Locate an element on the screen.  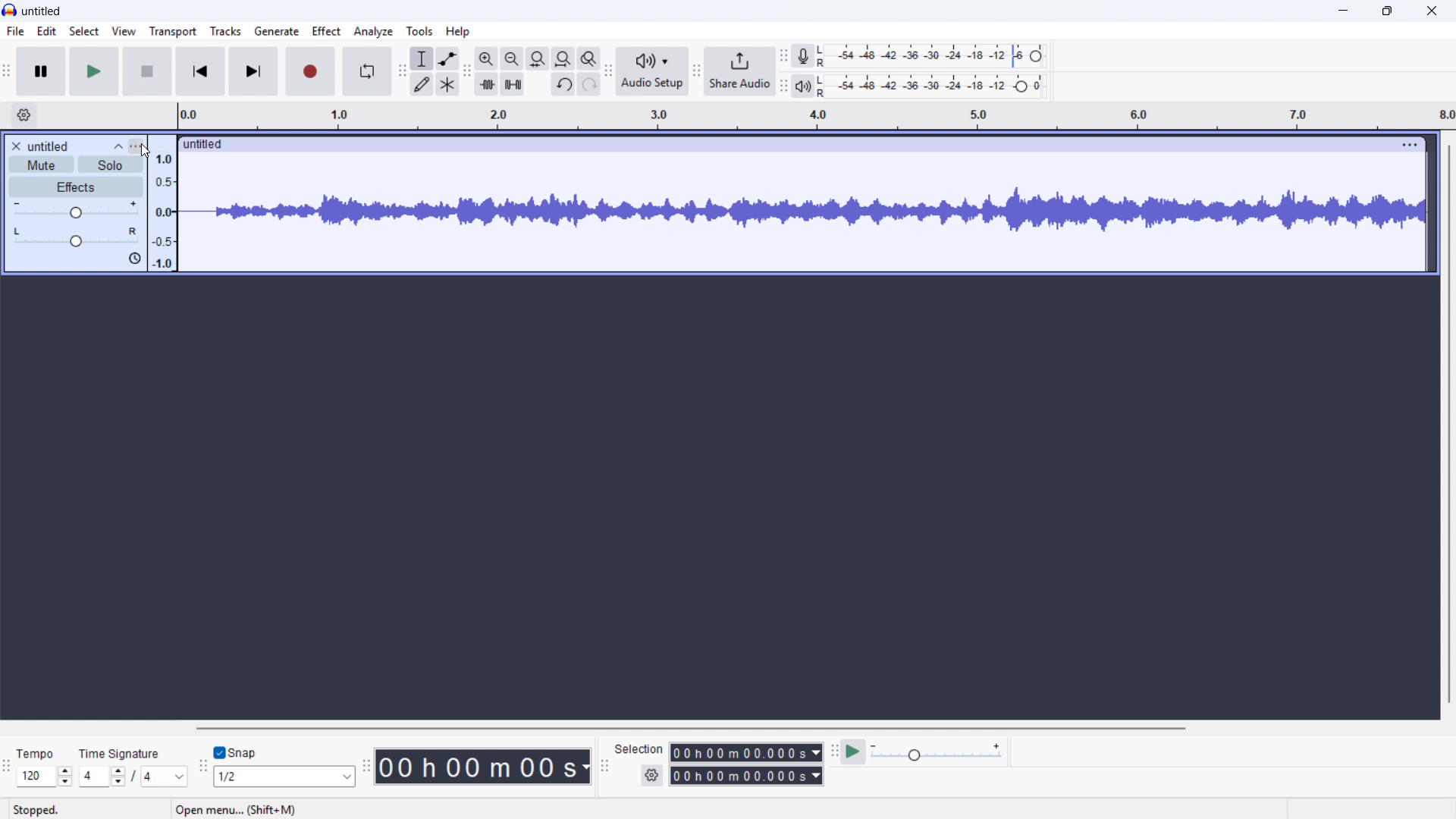
Timestamp  is located at coordinates (485, 767).